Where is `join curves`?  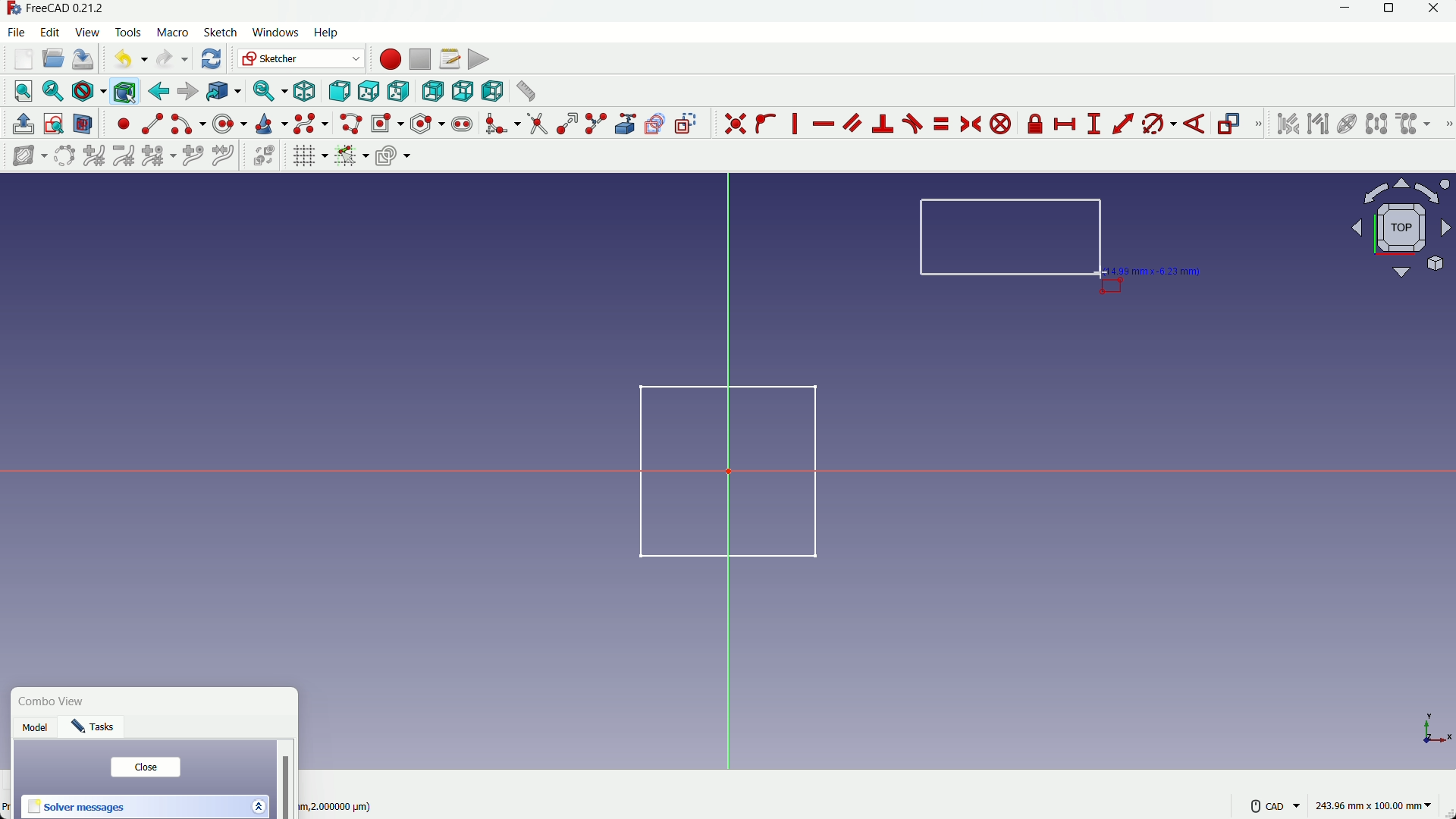
join curves is located at coordinates (227, 154).